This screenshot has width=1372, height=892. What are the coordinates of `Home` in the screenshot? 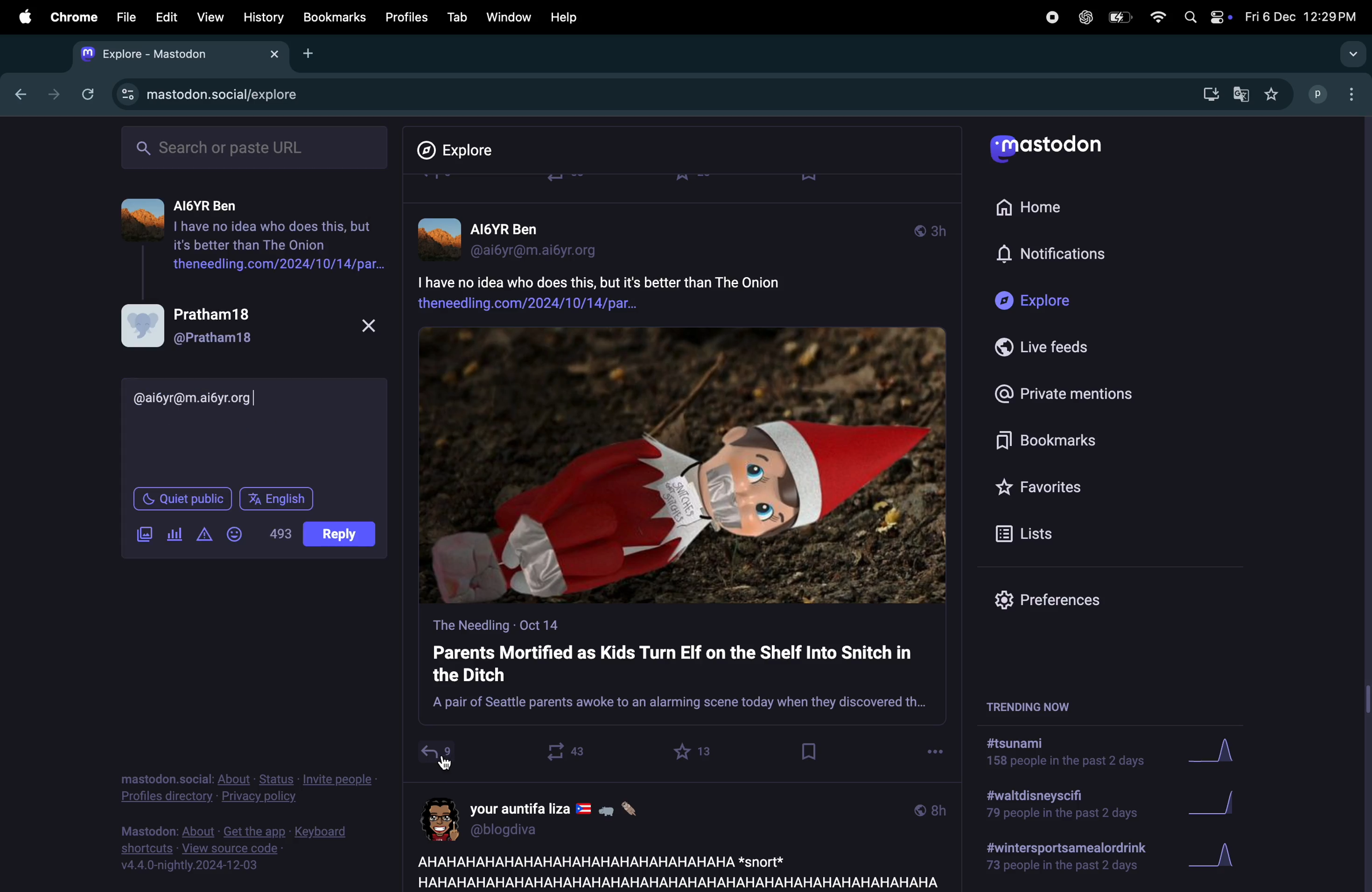 It's located at (1036, 205).